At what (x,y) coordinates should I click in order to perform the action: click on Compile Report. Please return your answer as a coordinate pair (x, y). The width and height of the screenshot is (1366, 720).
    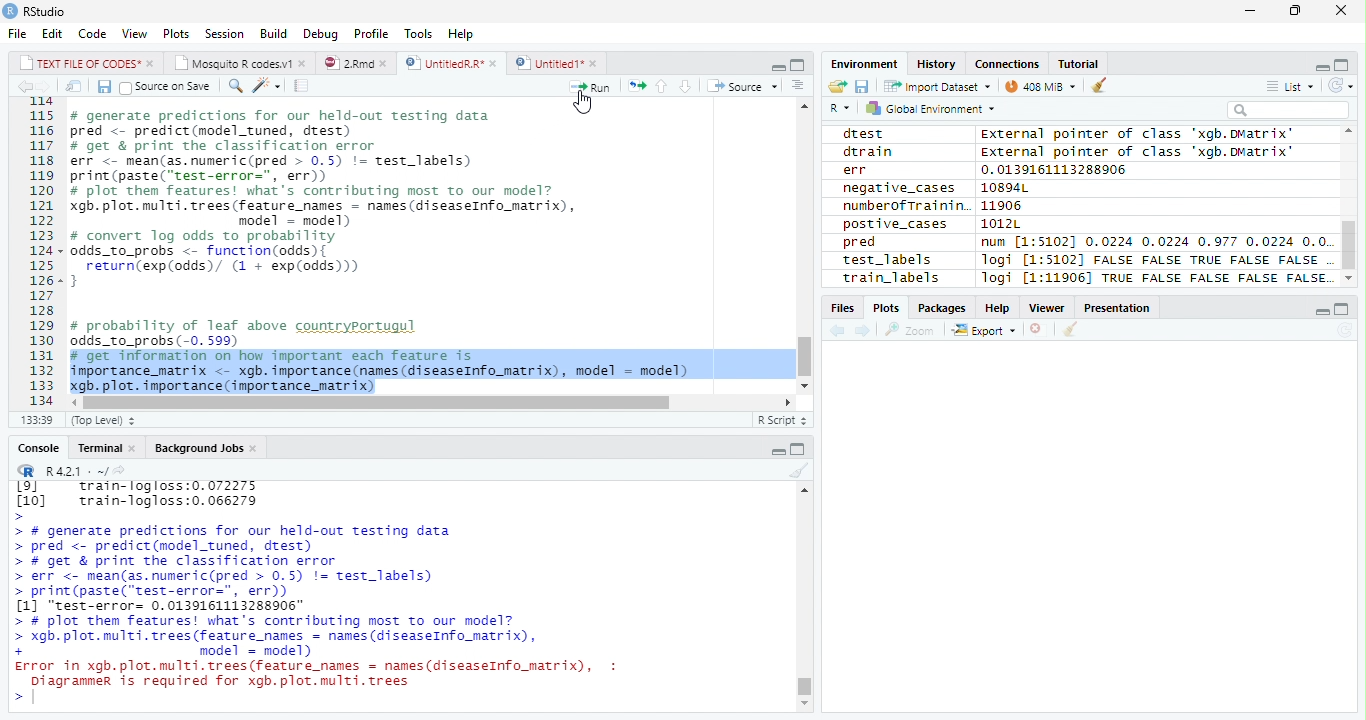
    Looking at the image, I should click on (301, 85).